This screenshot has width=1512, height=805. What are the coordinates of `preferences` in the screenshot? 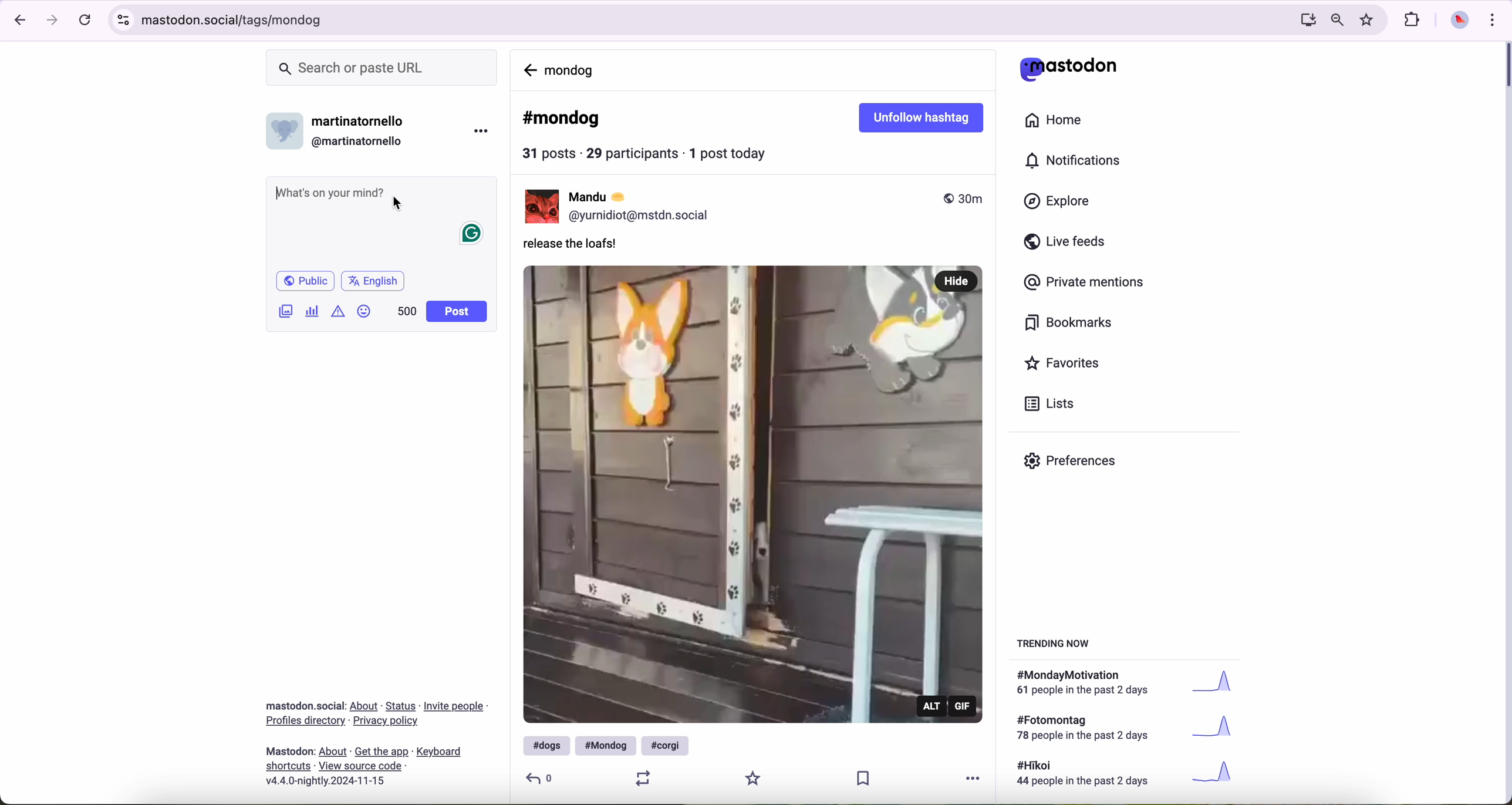 It's located at (1072, 462).